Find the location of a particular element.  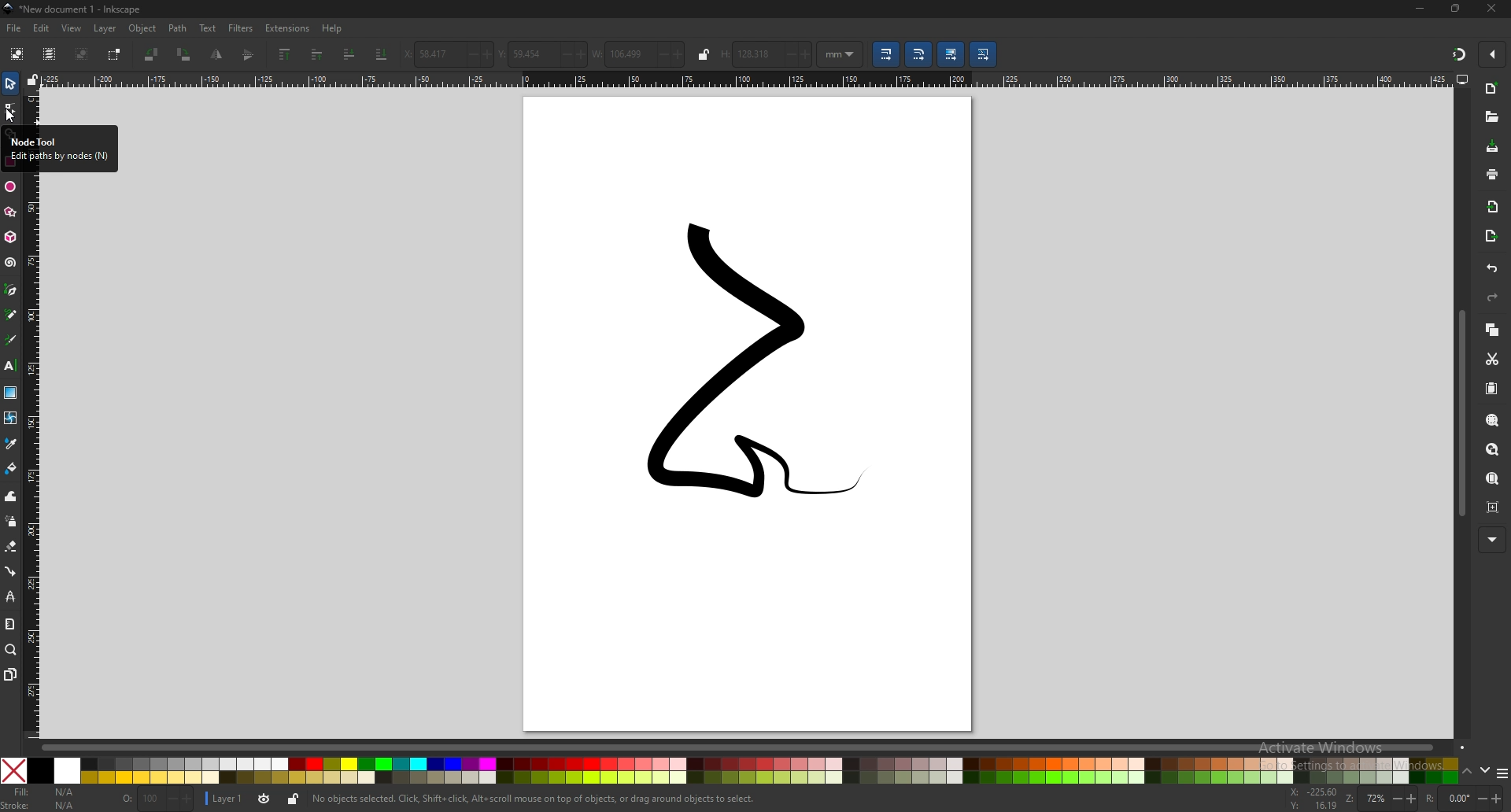

toggle selection box is located at coordinates (115, 54).